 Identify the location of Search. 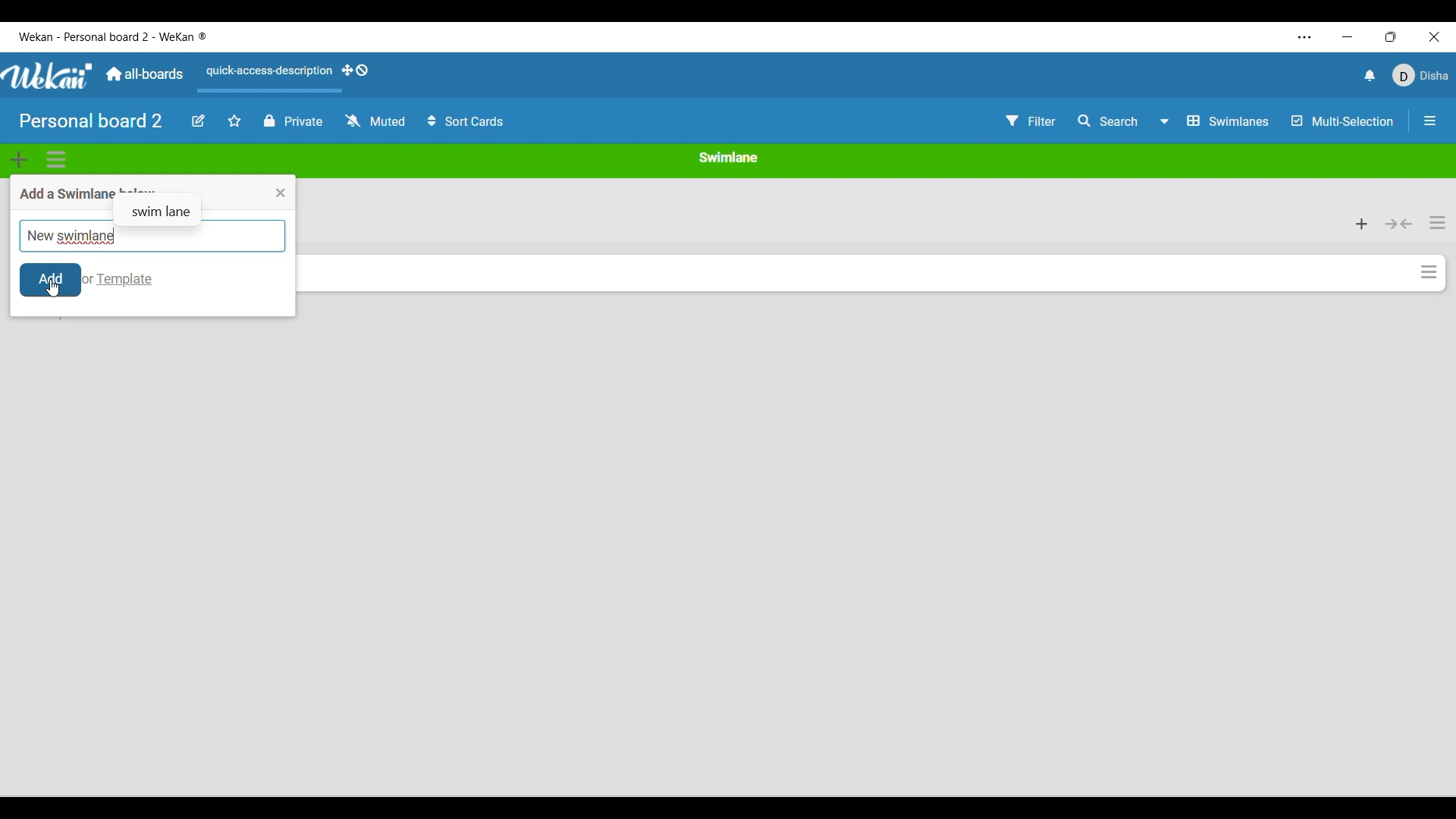
(1109, 121).